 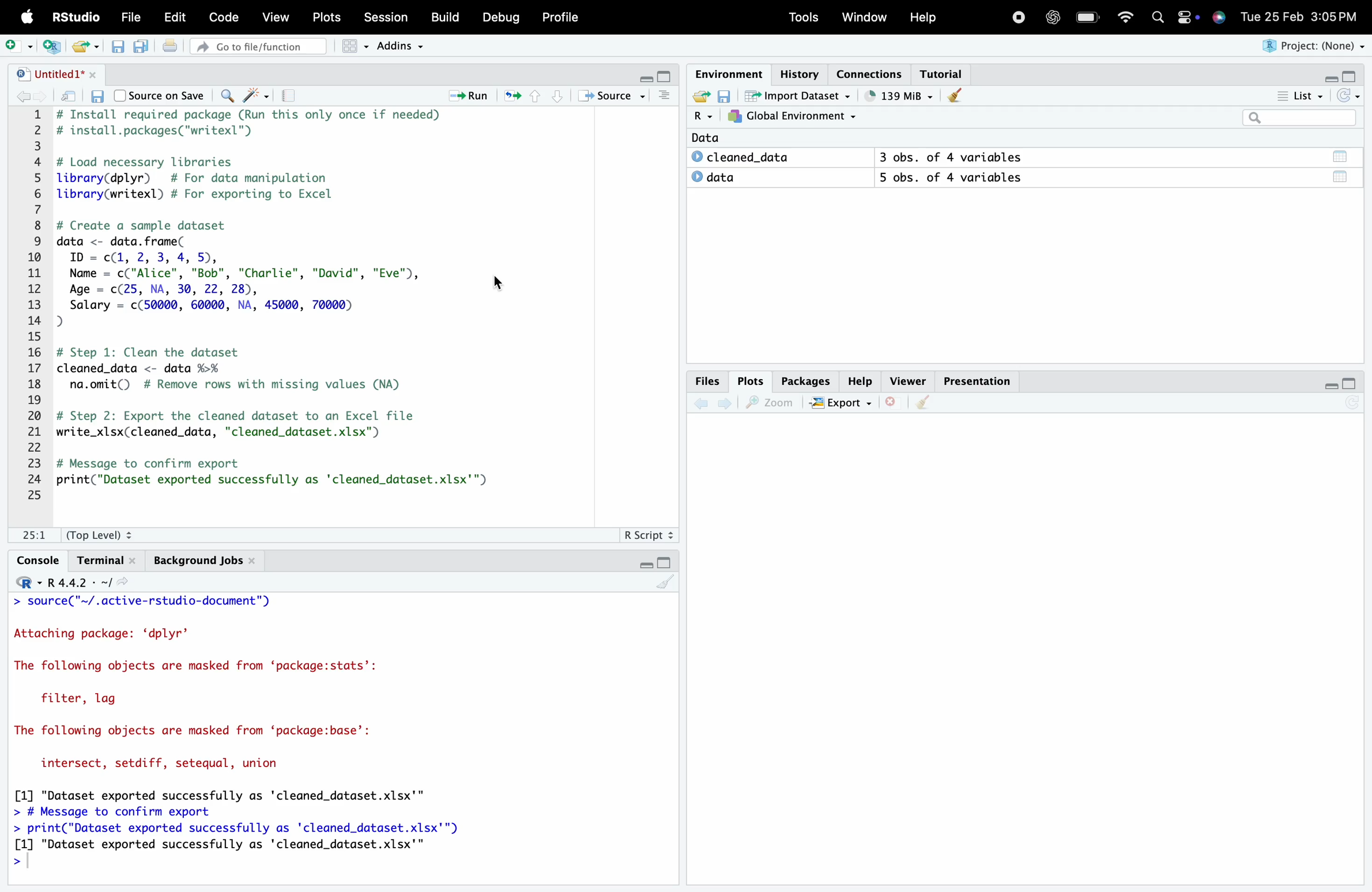 I want to click on  Go back to the previous source location (Ctrl + F9), so click(x=700, y=403).